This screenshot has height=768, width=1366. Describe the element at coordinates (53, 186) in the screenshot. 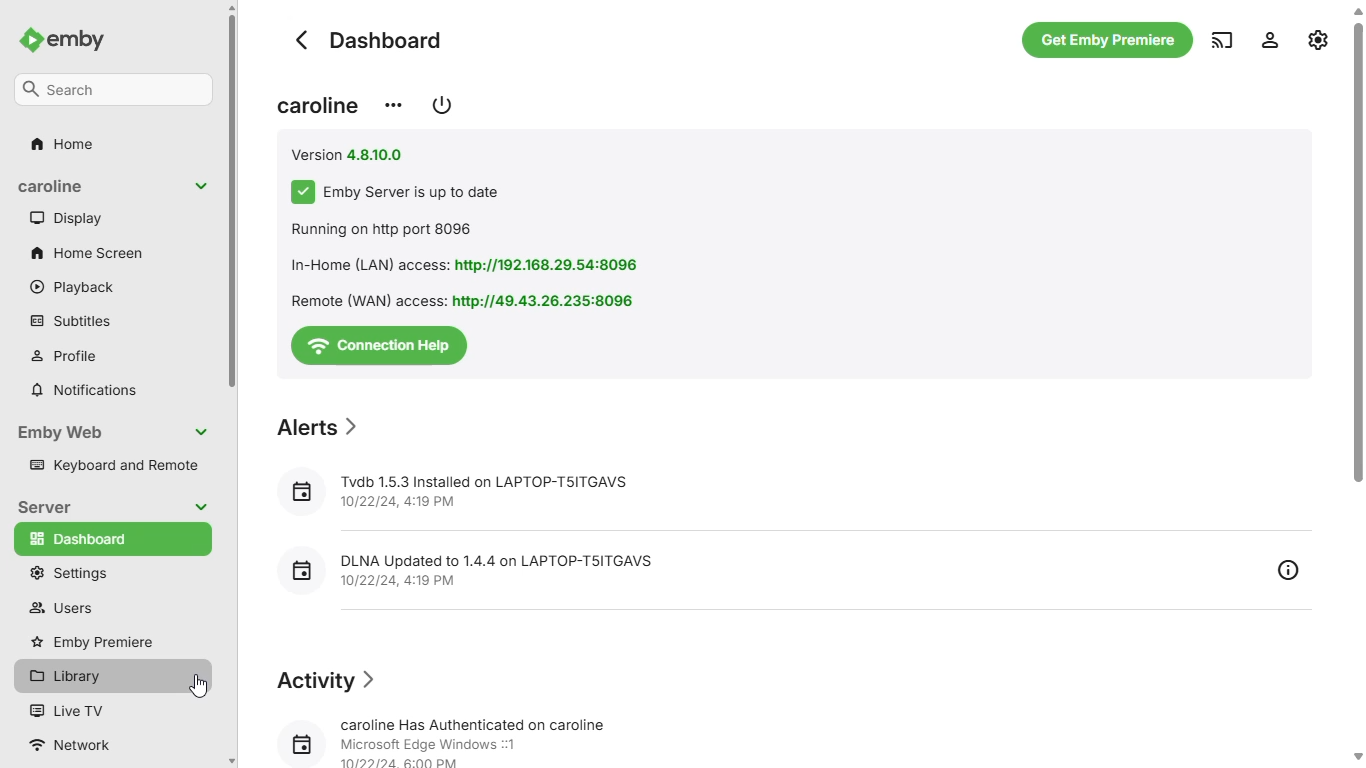

I see `caroline` at that location.